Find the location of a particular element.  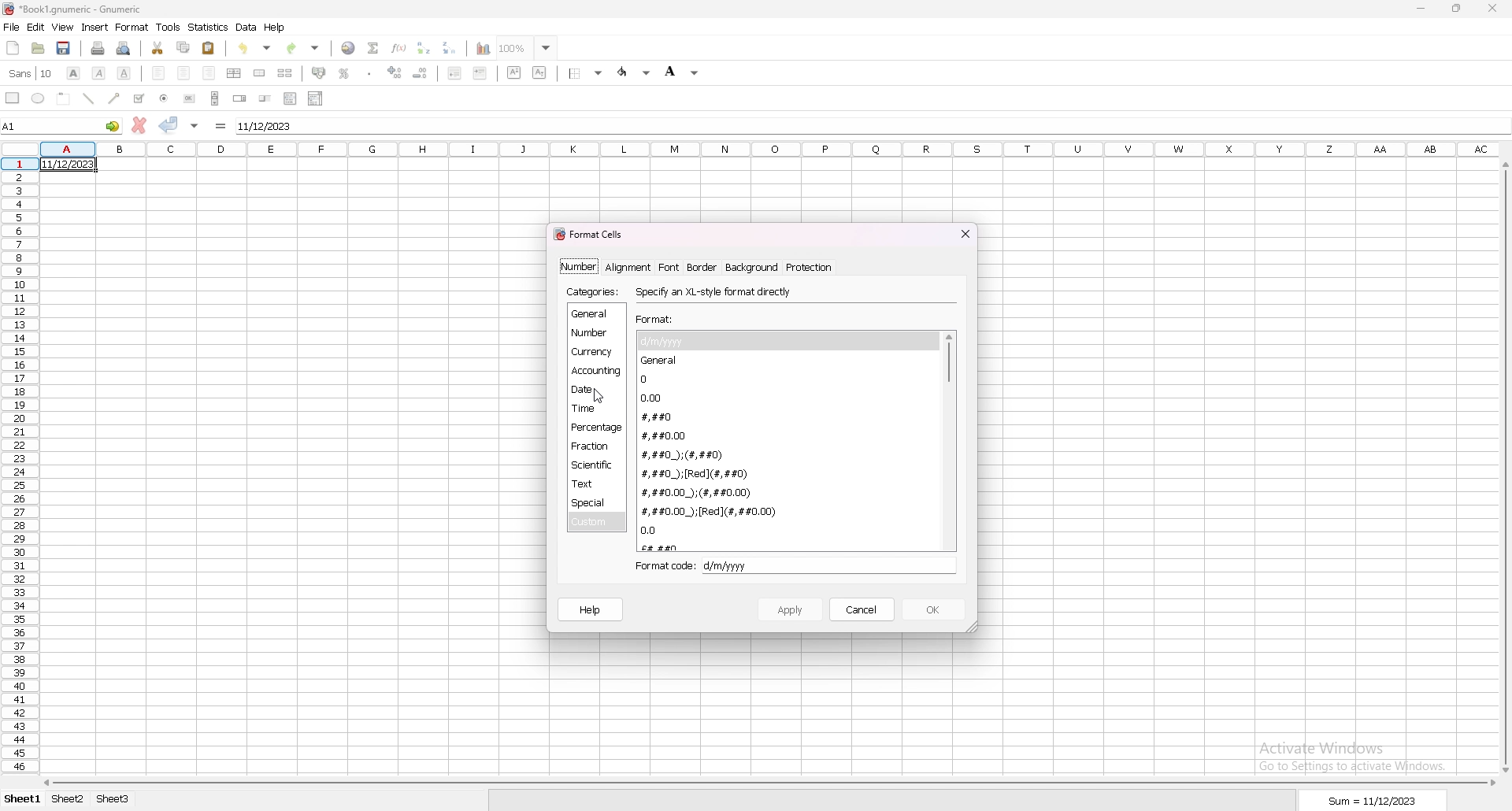

chart is located at coordinates (484, 49).